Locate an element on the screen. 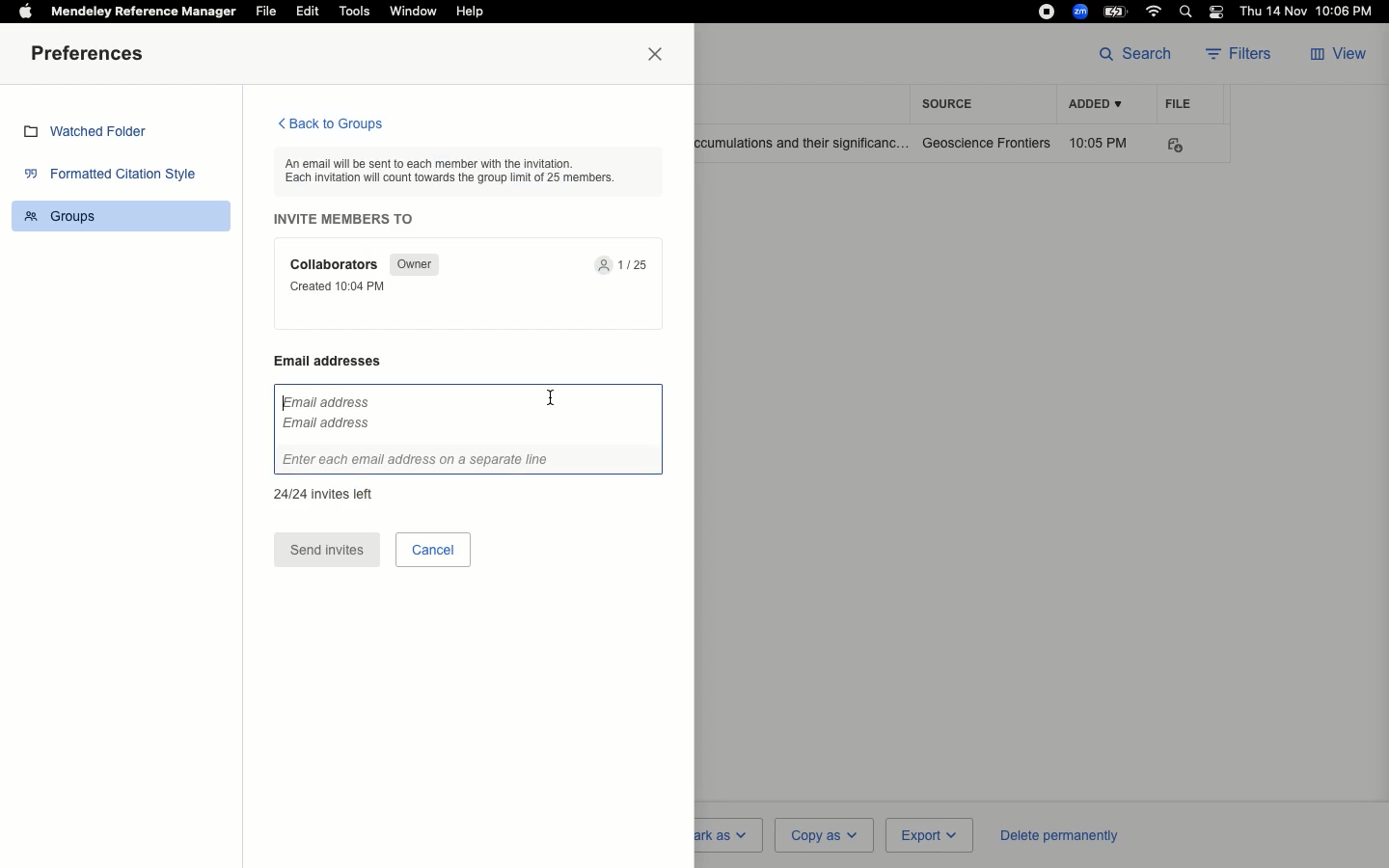 Image resolution: width=1389 pixels, height=868 pixels. cursor is located at coordinates (550, 400).